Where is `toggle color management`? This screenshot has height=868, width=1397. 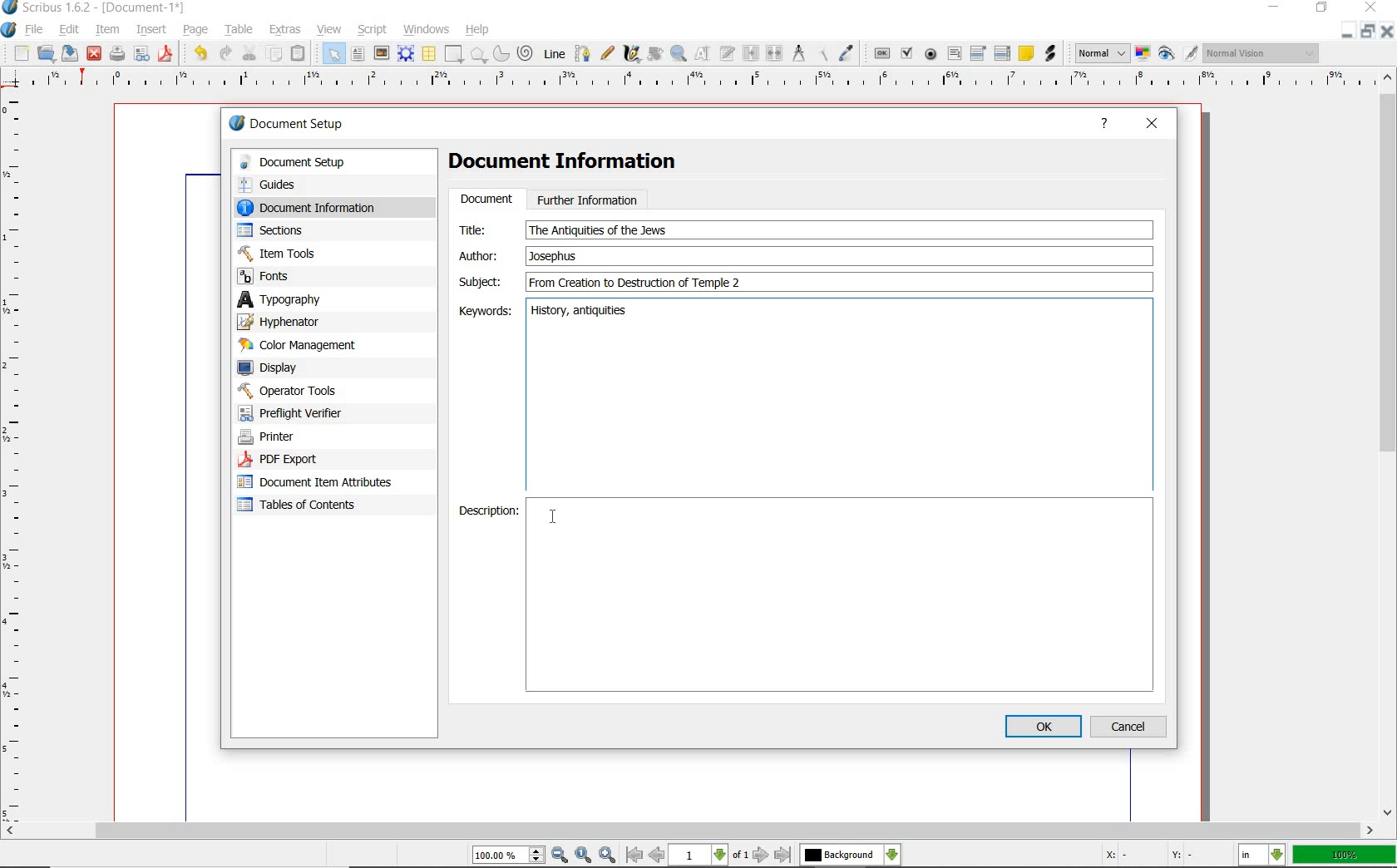
toggle color management is located at coordinates (1143, 53).